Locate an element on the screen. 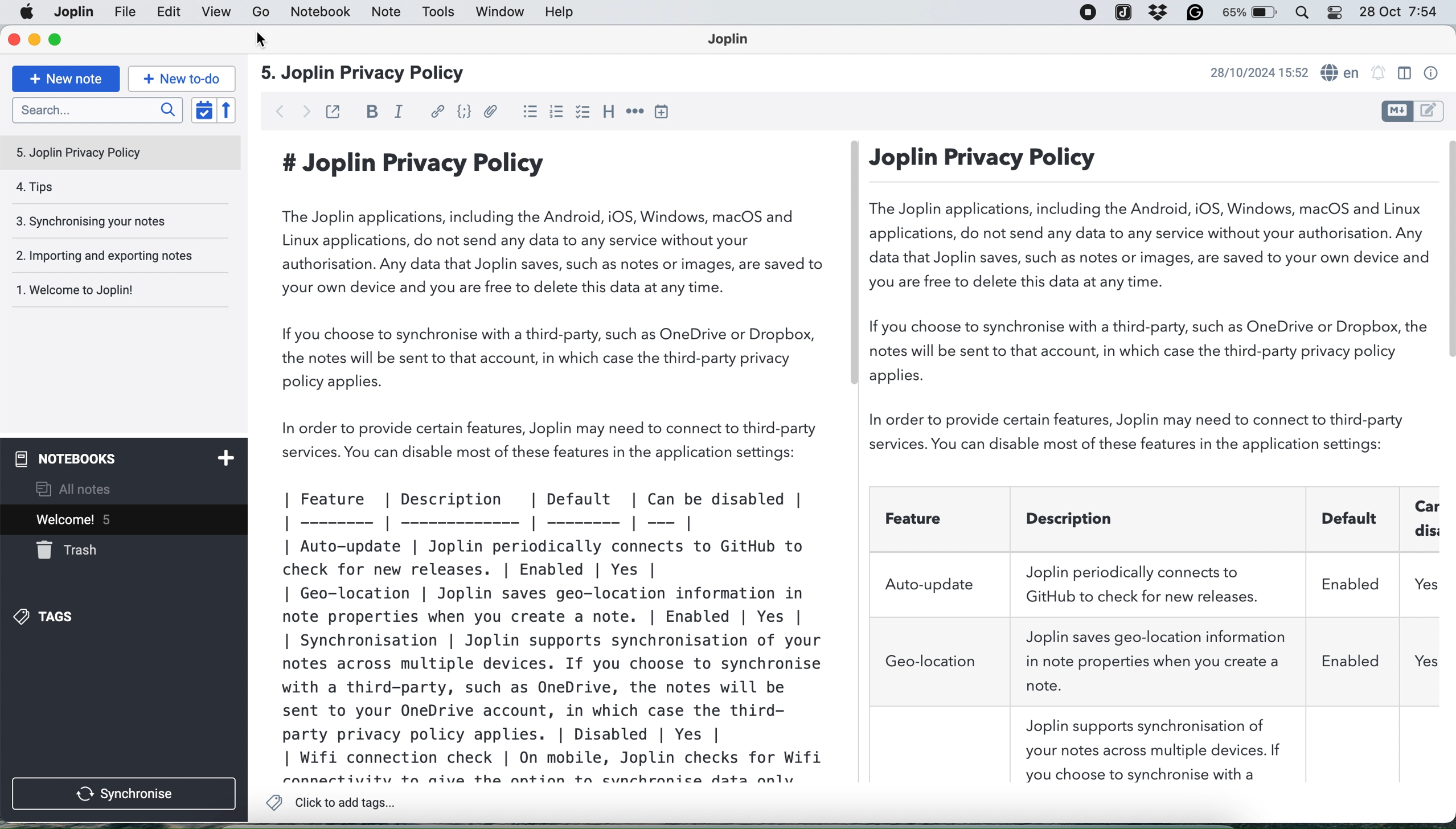 The height and width of the screenshot is (829, 1456). insert time is located at coordinates (663, 113).